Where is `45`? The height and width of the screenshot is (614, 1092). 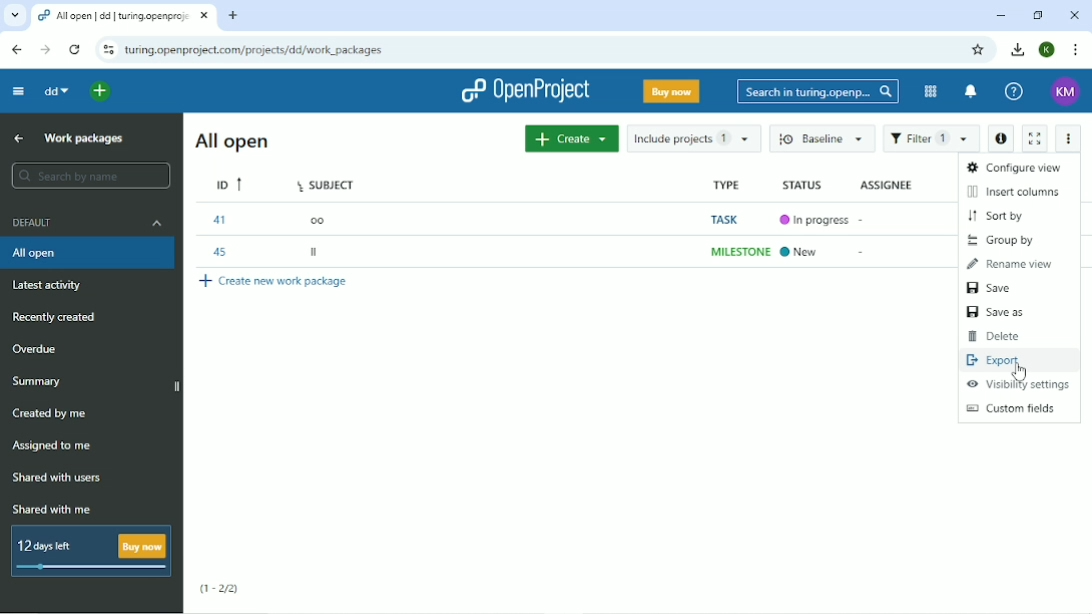
45 is located at coordinates (220, 254).